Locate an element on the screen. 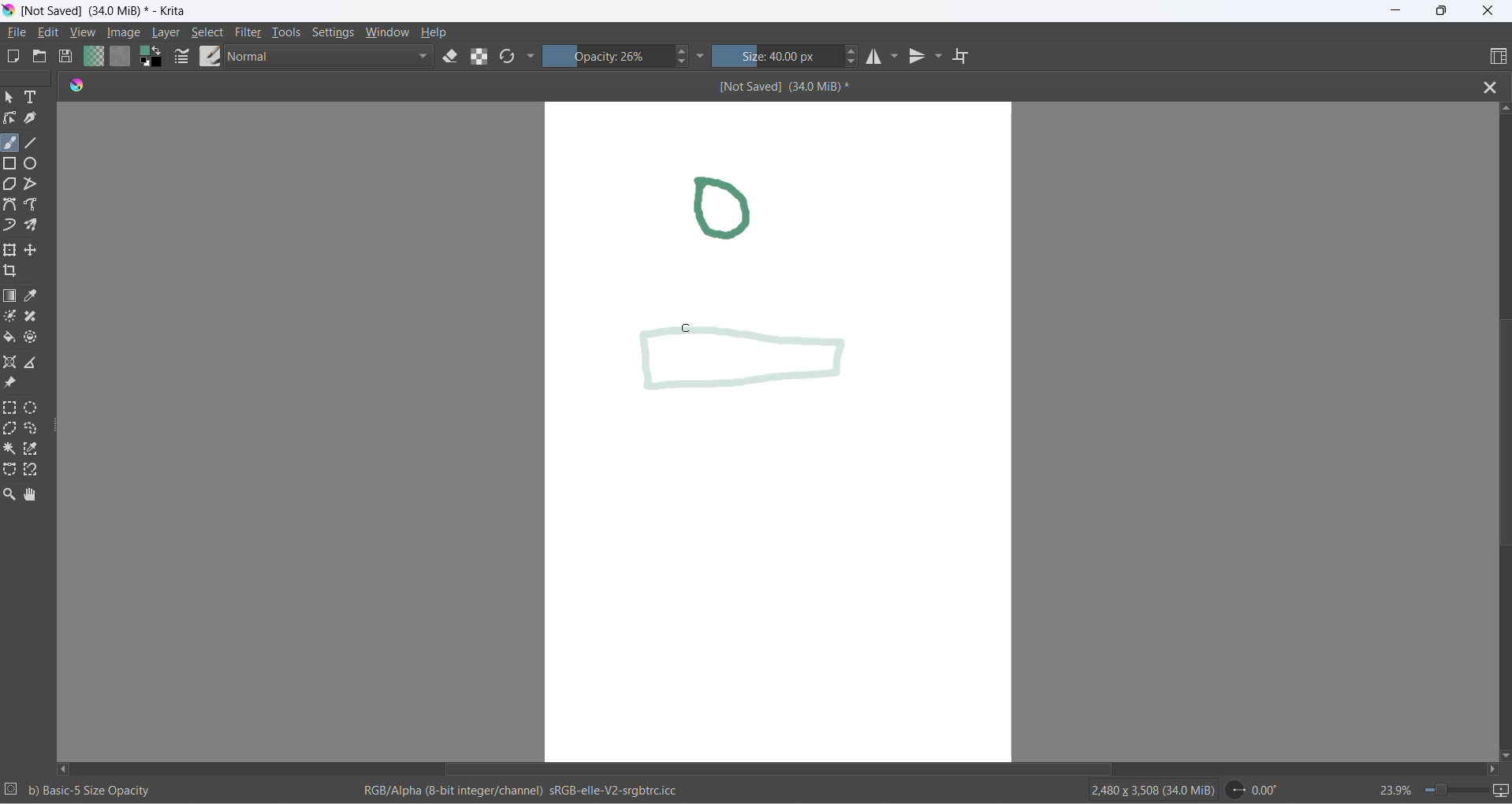  scroll down button is located at coordinates (1503, 754).